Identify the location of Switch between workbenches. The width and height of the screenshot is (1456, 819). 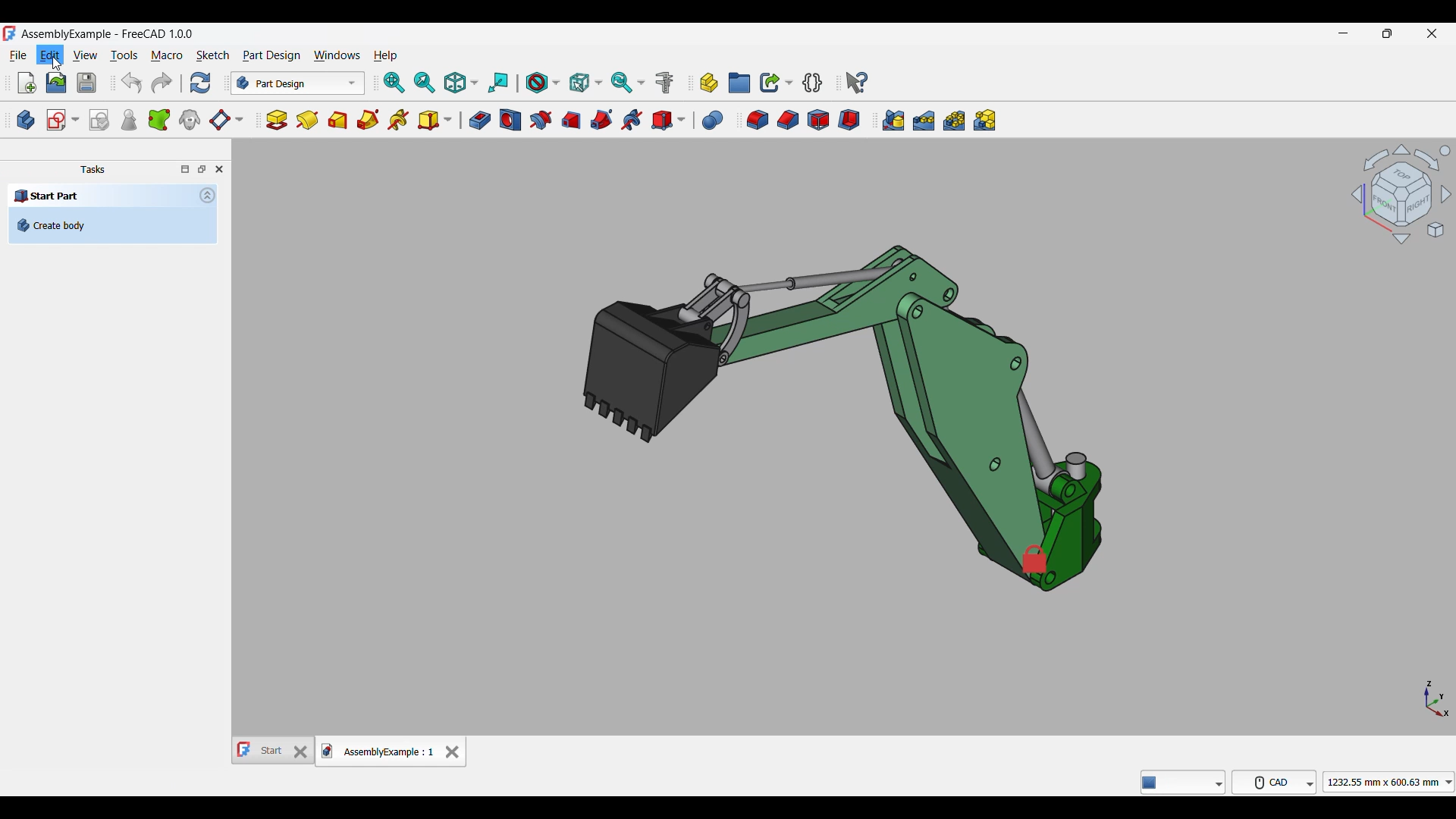
(298, 83).